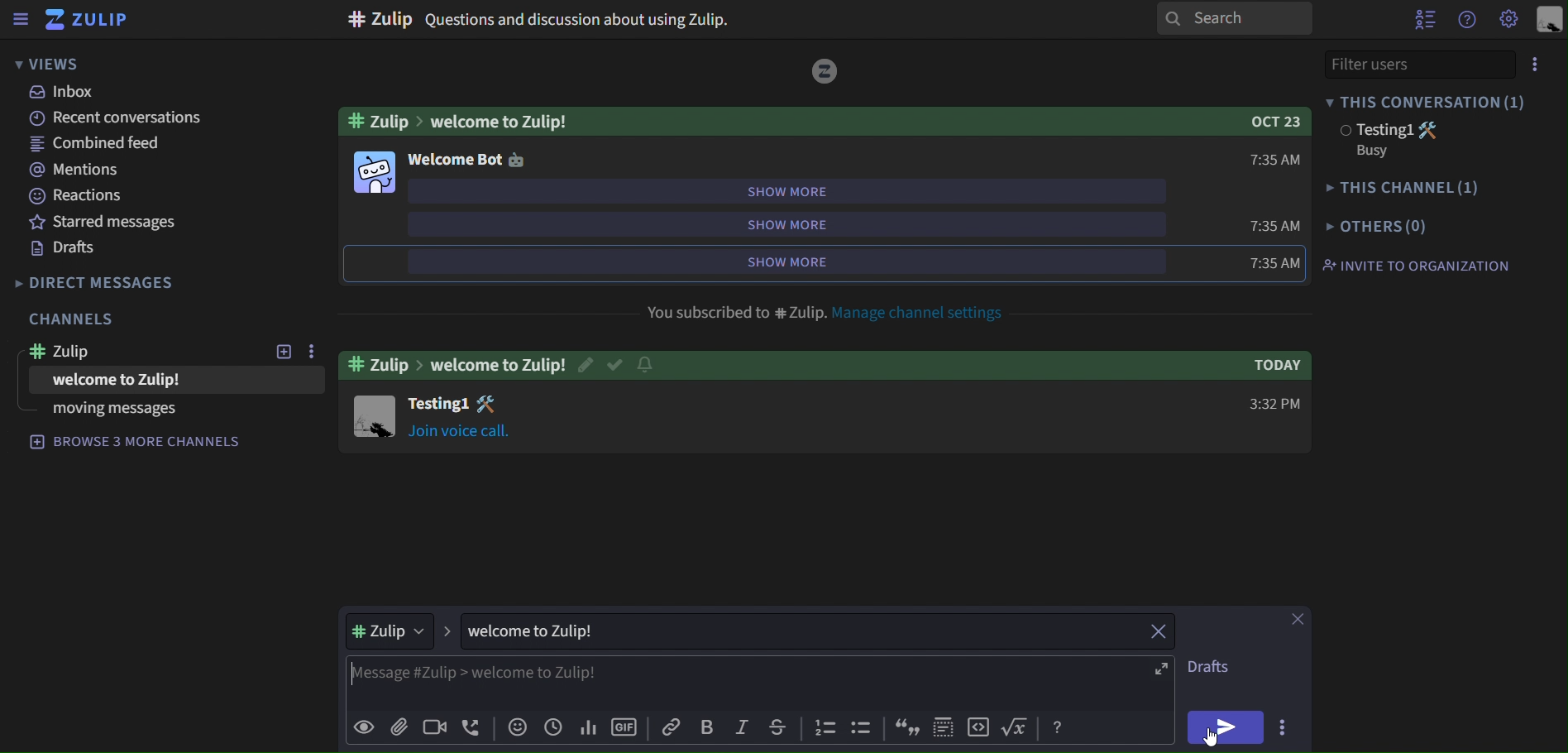 This screenshot has width=1568, height=753. Describe the element at coordinates (468, 429) in the screenshot. I see `join voice call` at that location.